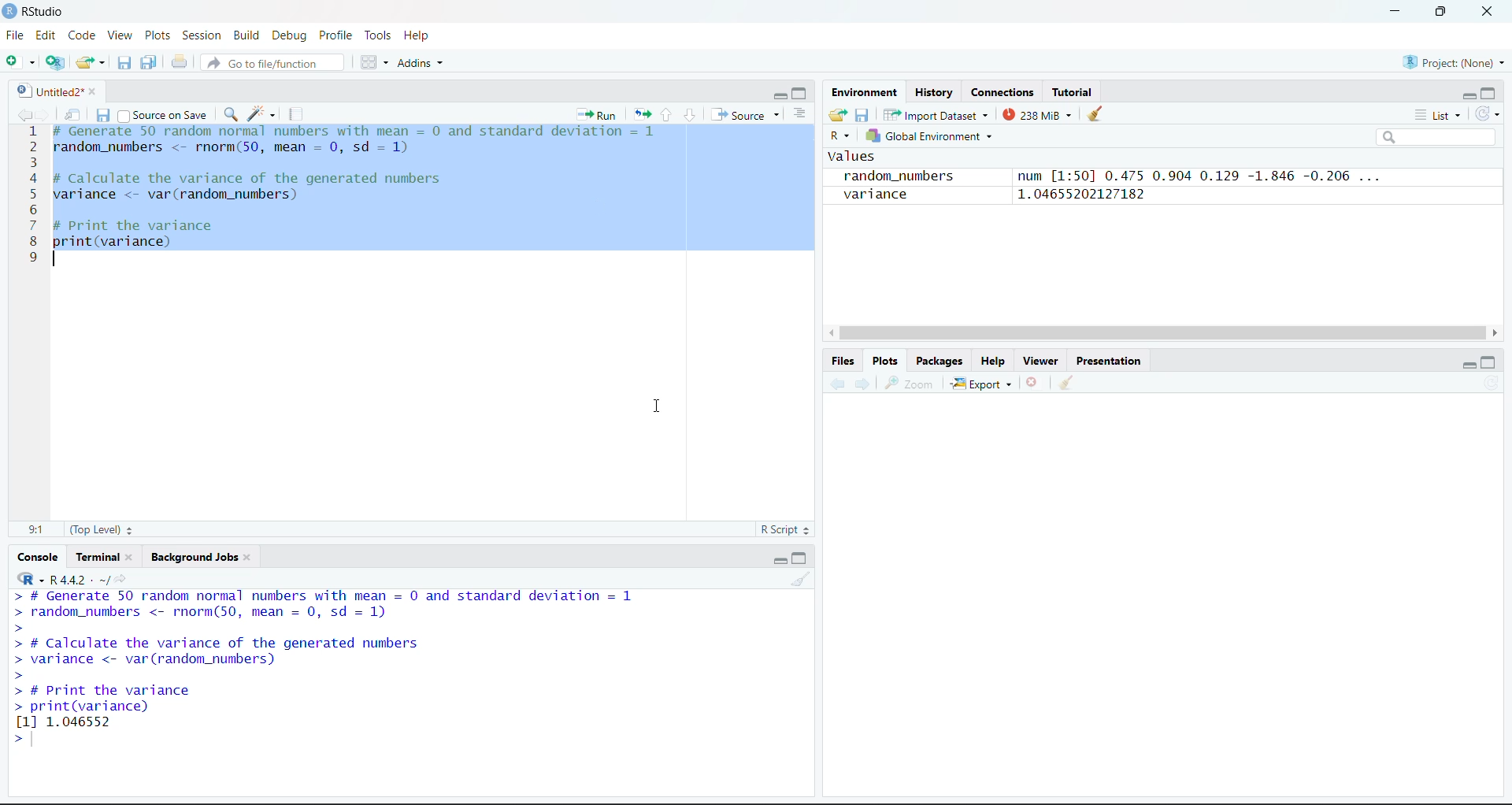 The height and width of the screenshot is (805, 1512). What do you see at coordinates (642, 116) in the screenshot?
I see `rerun` at bounding box center [642, 116].